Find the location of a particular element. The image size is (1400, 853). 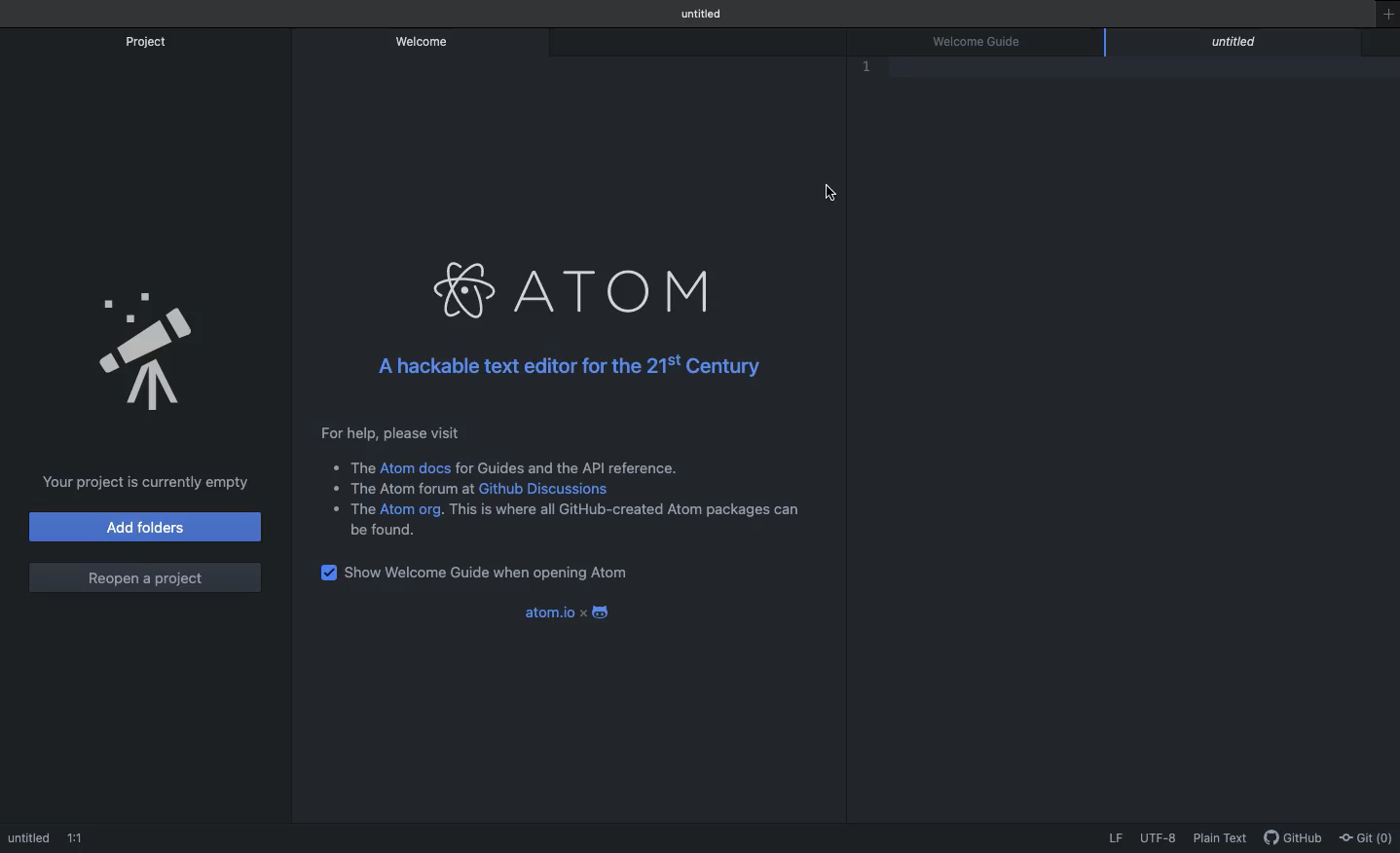

list item content is located at coordinates (625, 511).